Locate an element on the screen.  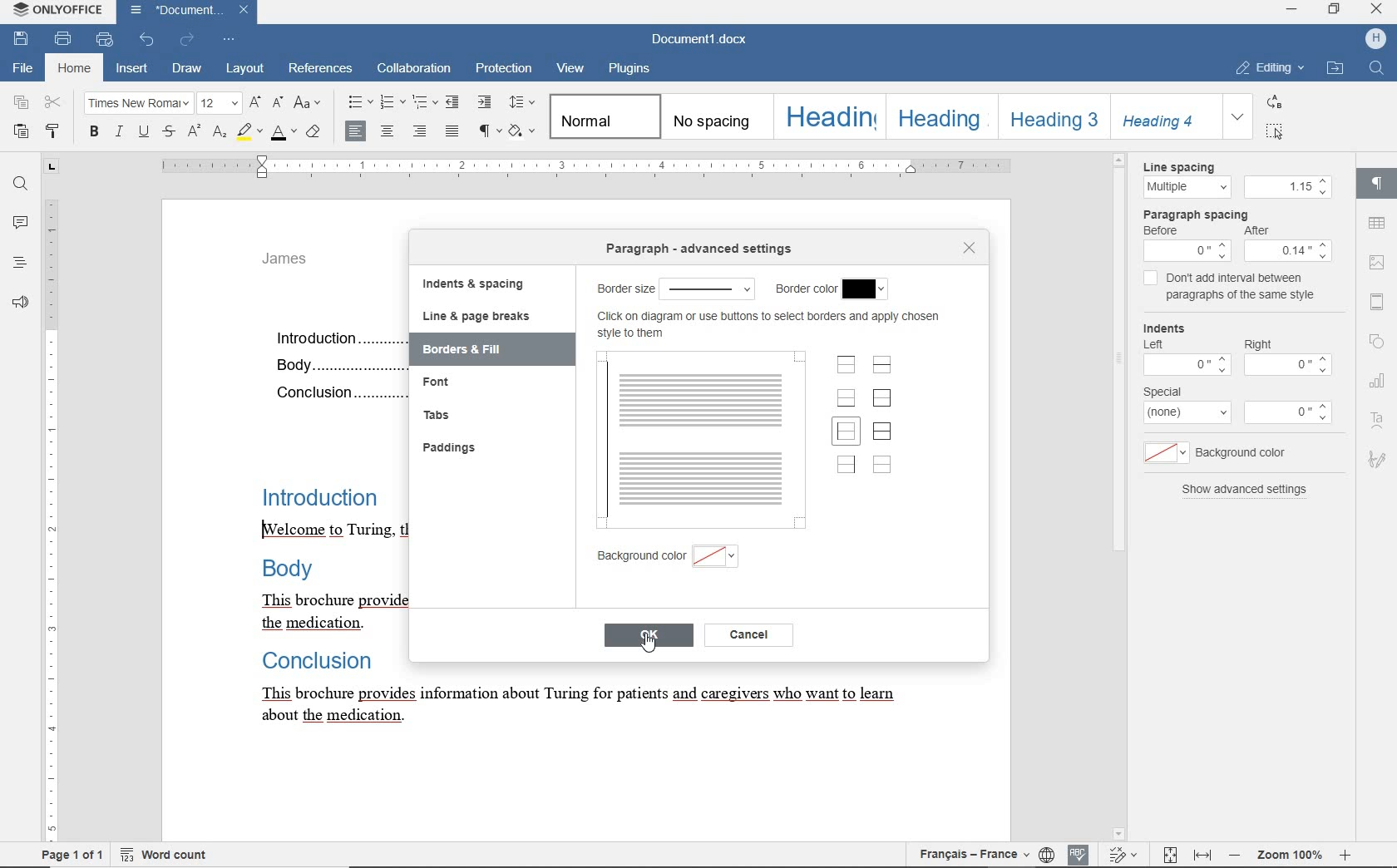
before is located at coordinates (1163, 231).